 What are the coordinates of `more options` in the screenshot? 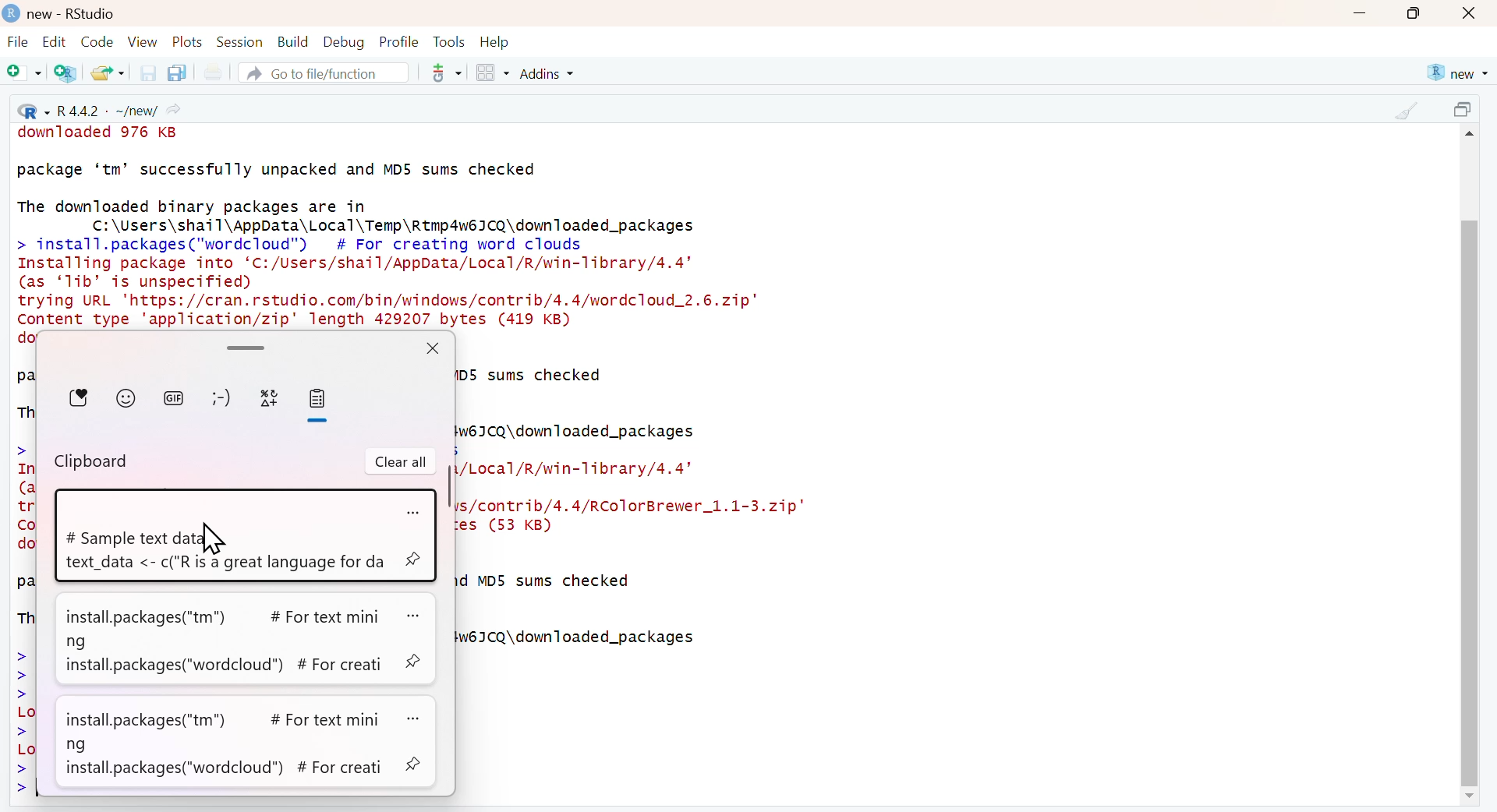 It's located at (418, 616).